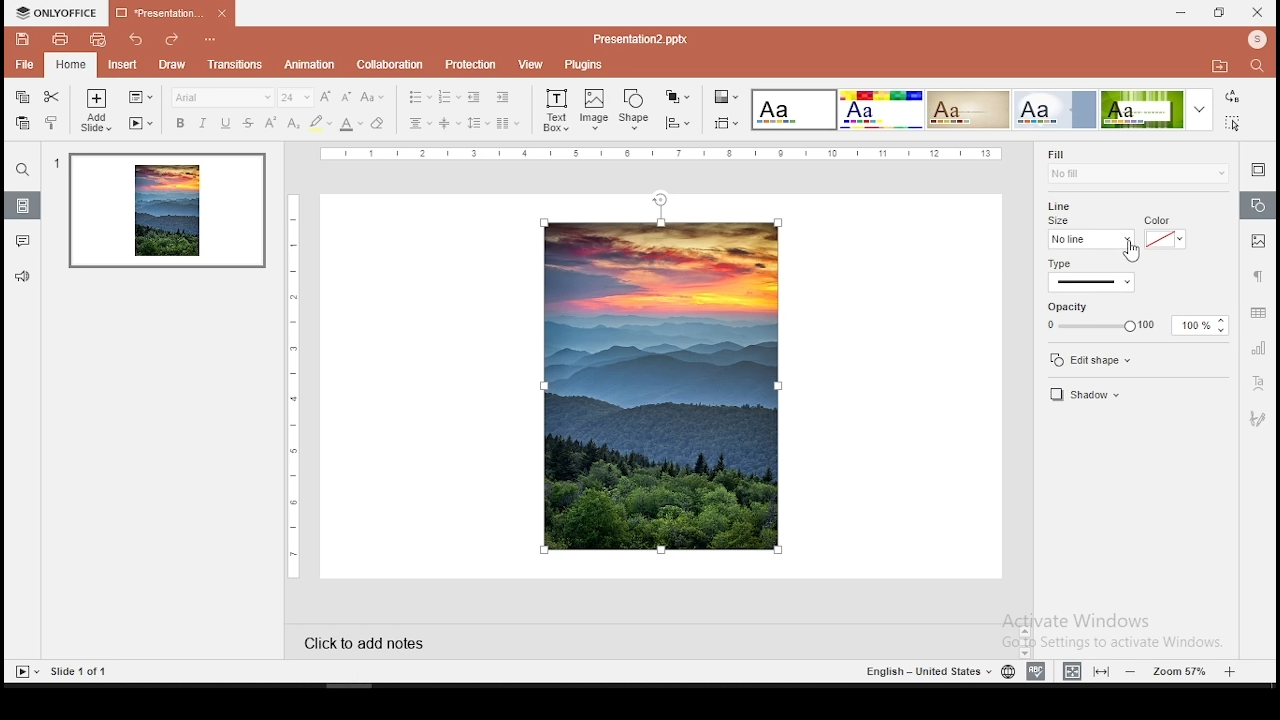 The image size is (1280, 720). I want to click on open file location, so click(1222, 70).